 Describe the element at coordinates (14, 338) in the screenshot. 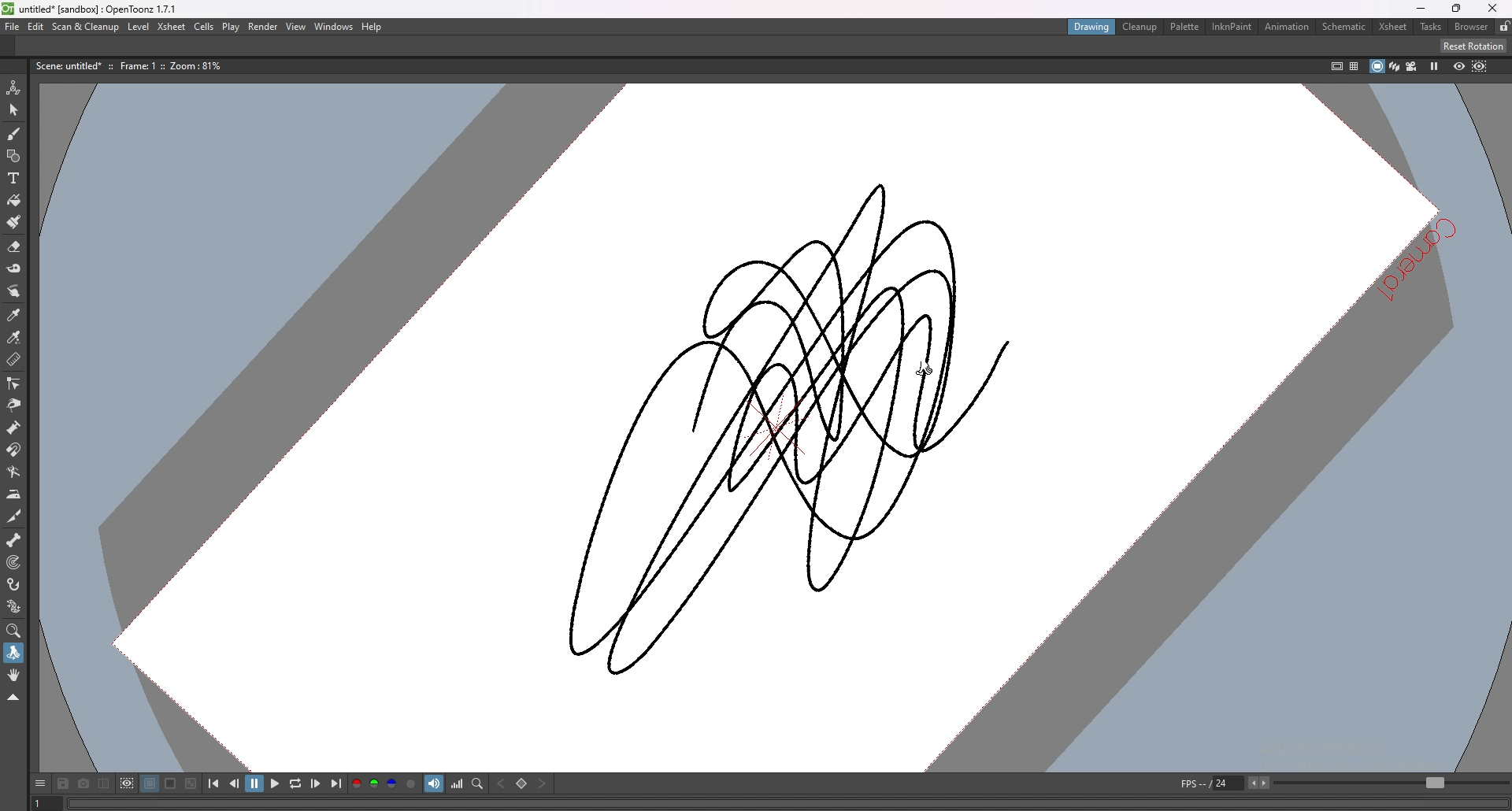

I see `rgb picker` at that location.